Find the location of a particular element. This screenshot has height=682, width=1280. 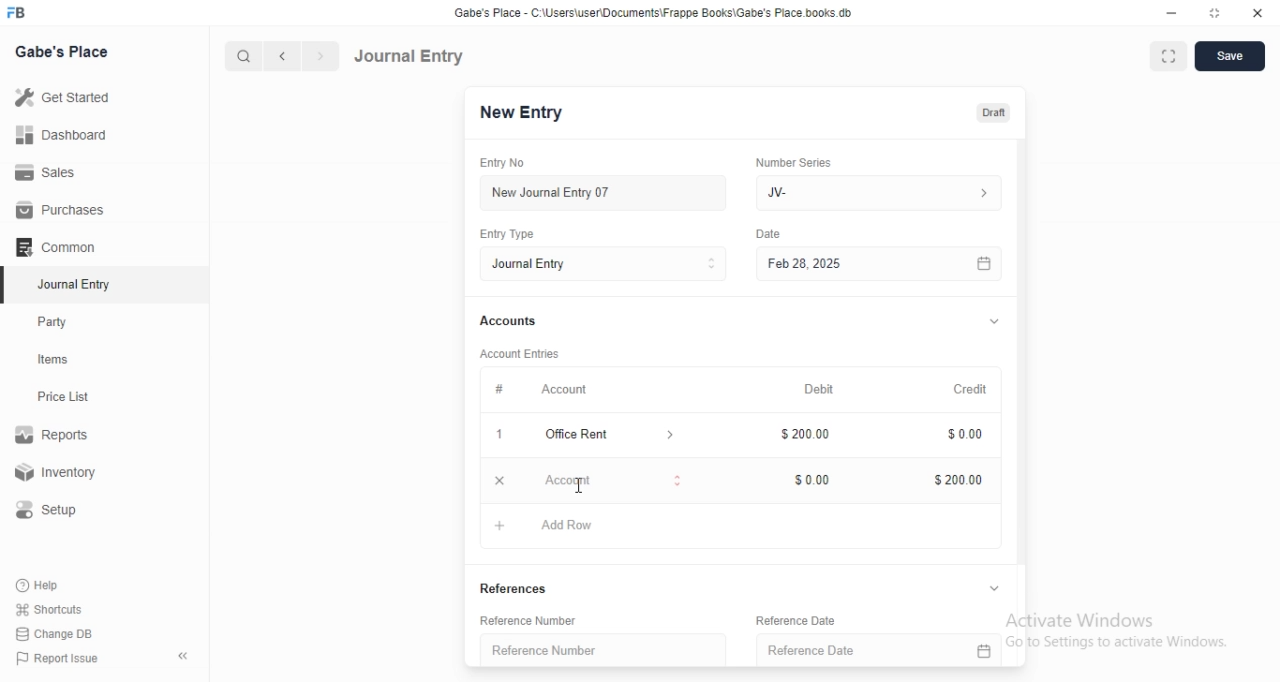

Reference Date  is located at coordinates (866, 622).